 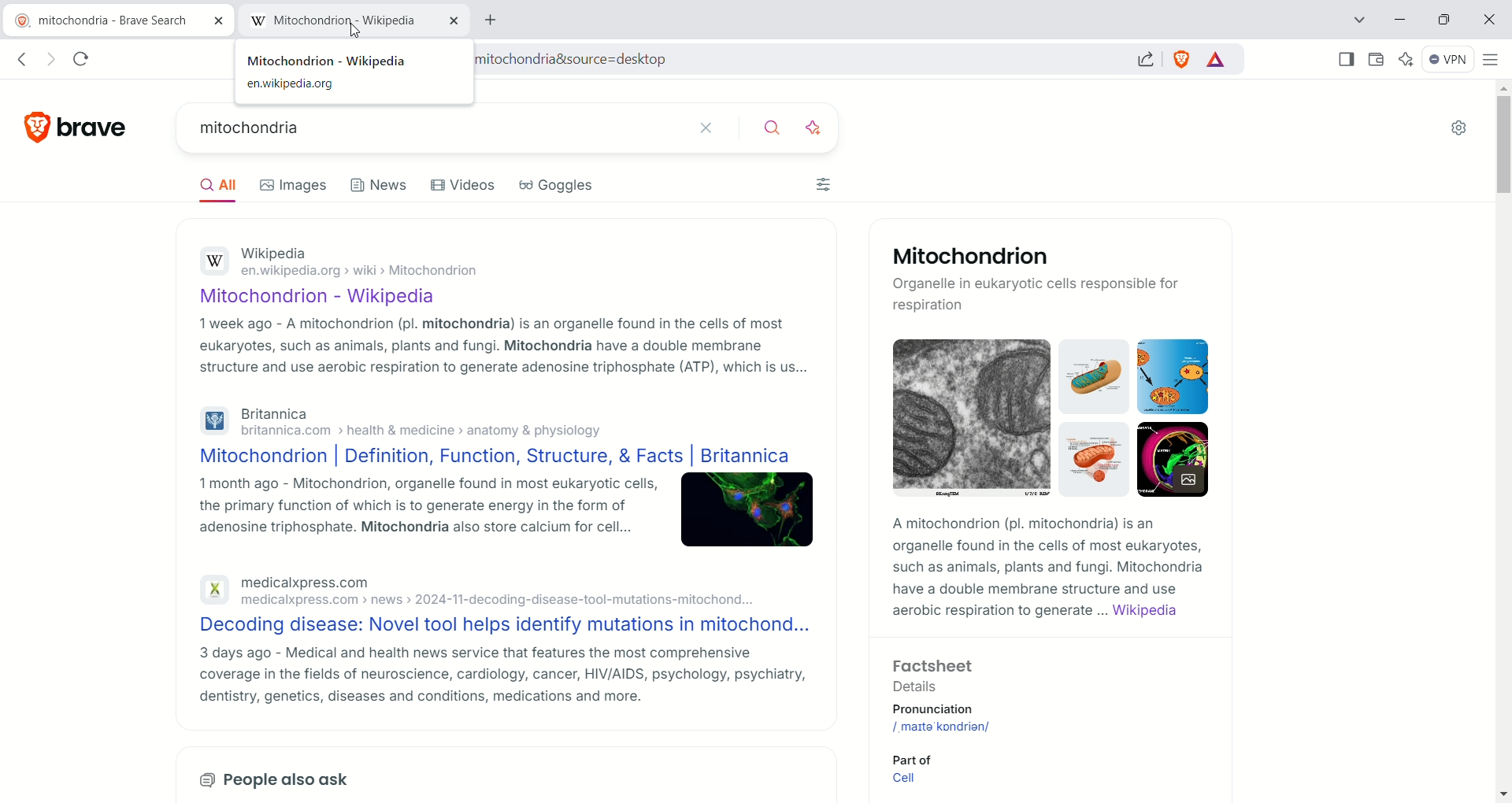 I want to click on wikipedia, so click(x=1150, y=610).